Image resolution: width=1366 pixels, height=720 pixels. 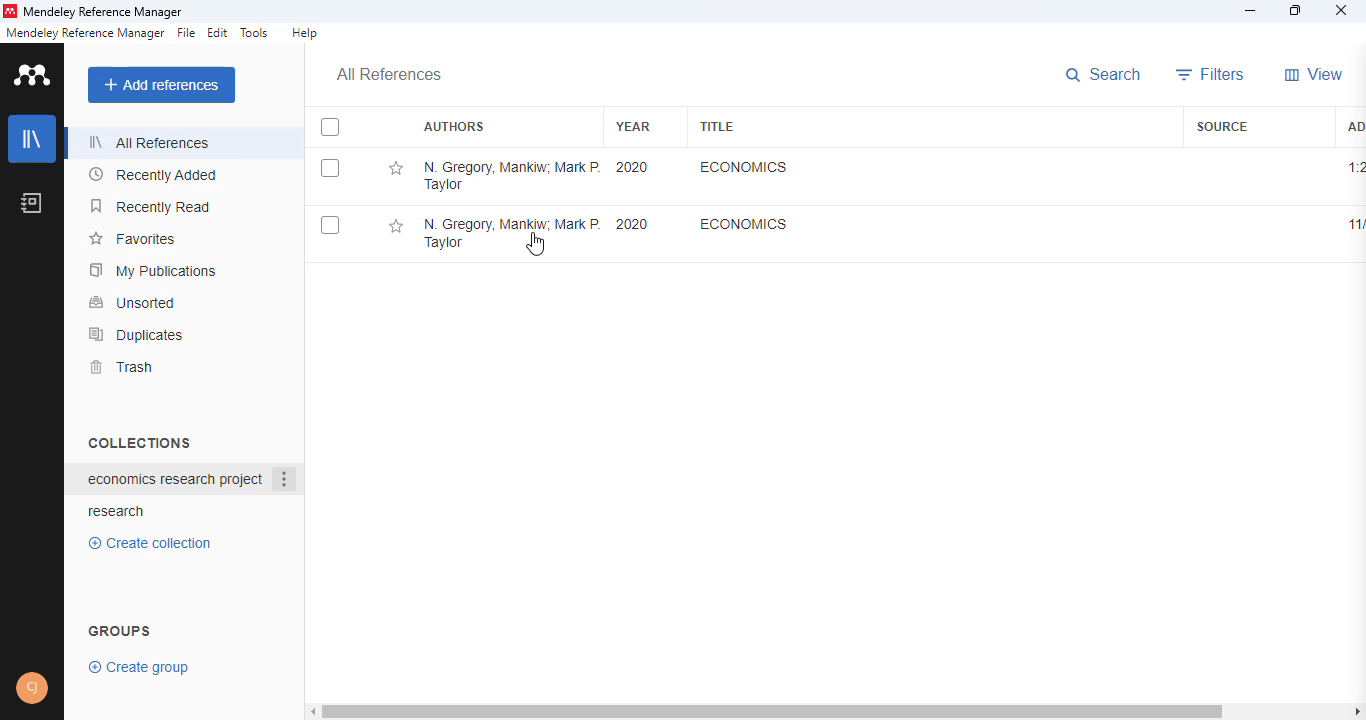 What do you see at coordinates (186, 33) in the screenshot?
I see `file` at bounding box center [186, 33].